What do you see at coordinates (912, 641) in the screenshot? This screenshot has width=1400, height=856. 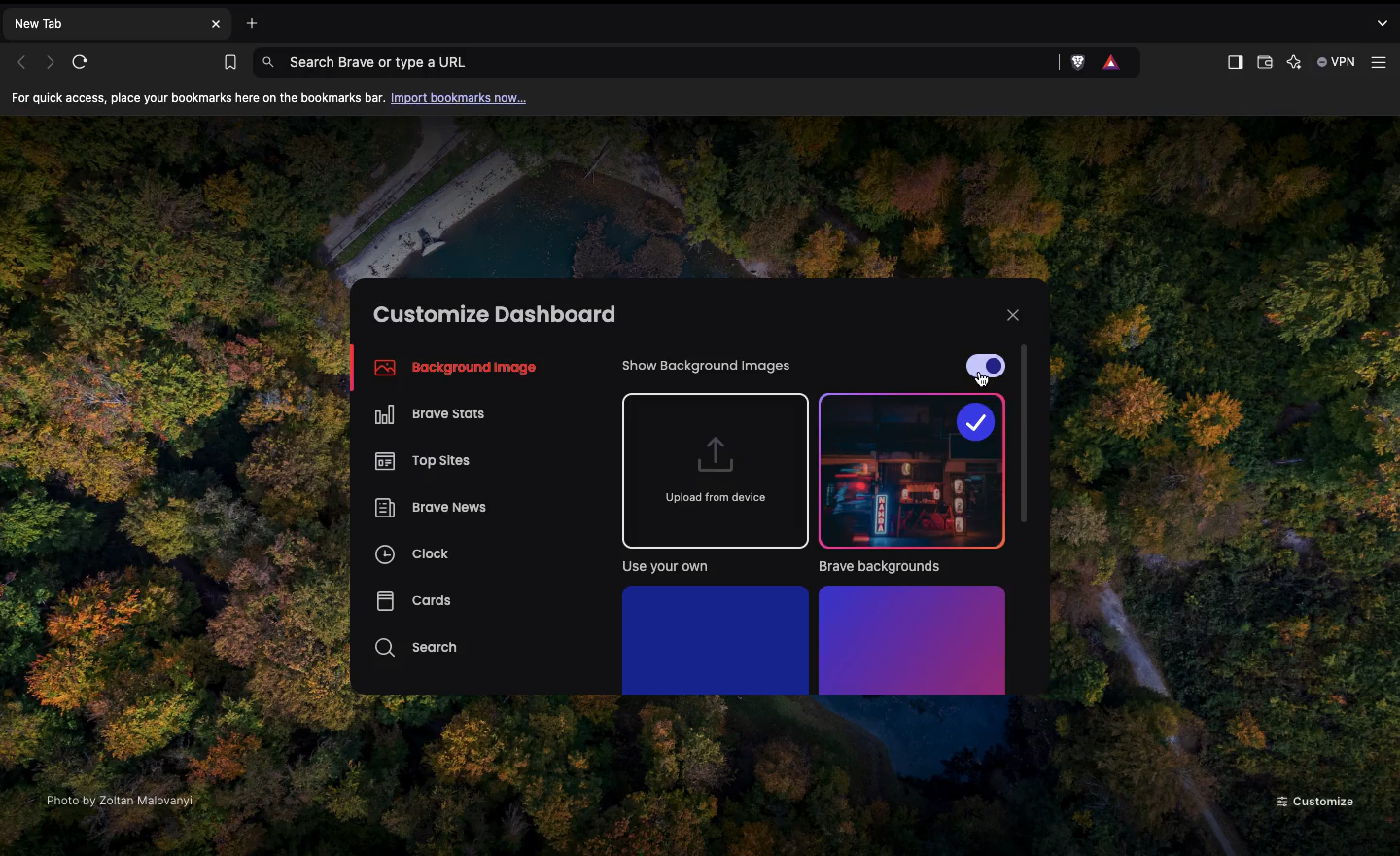 I see `Gradients` at bounding box center [912, 641].